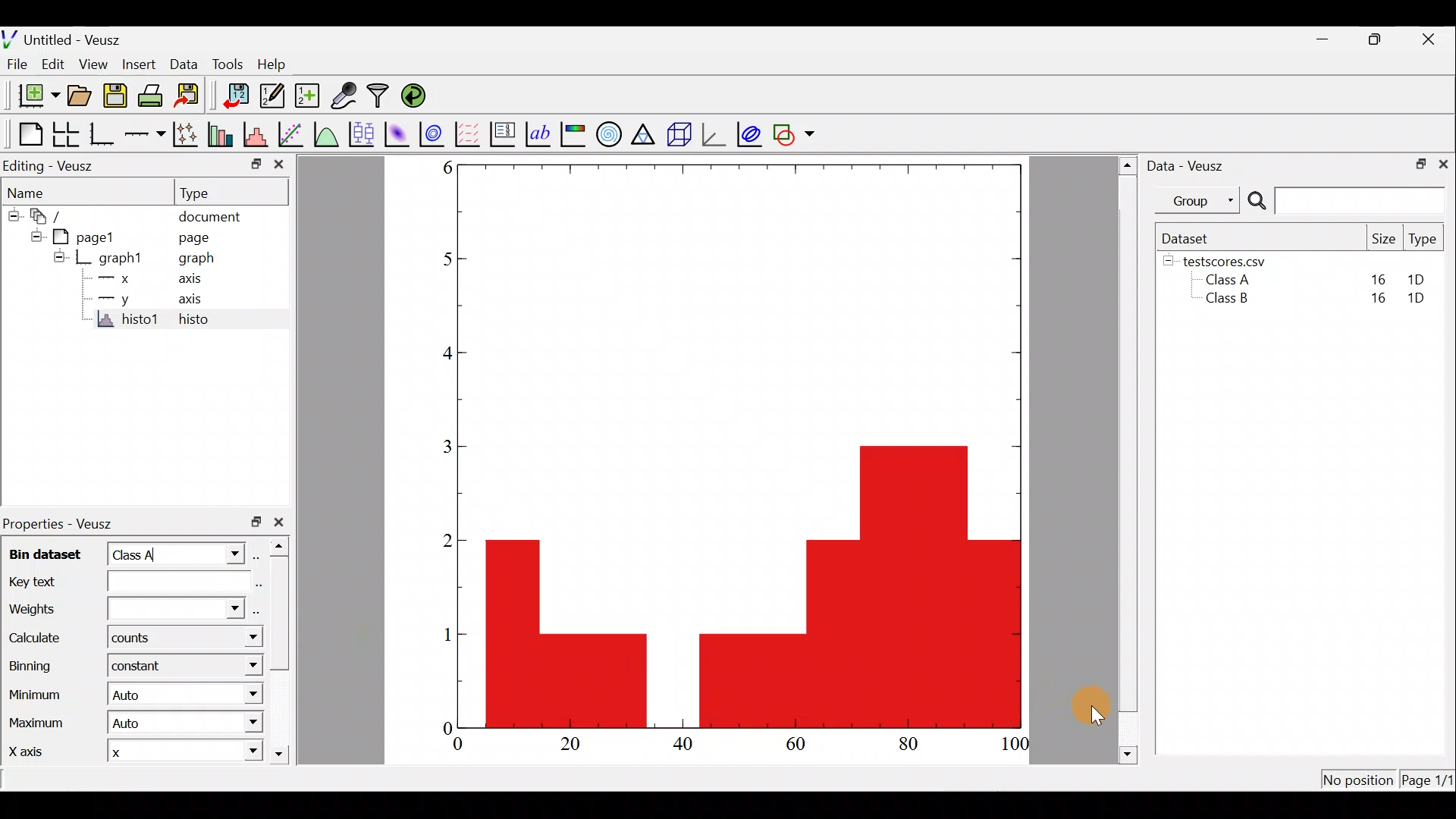 Image resolution: width=1456 pixels, height=819 pixels. Describe the element at coordinates (240, 641) in the screenshot. I see `Calculate` at that location.